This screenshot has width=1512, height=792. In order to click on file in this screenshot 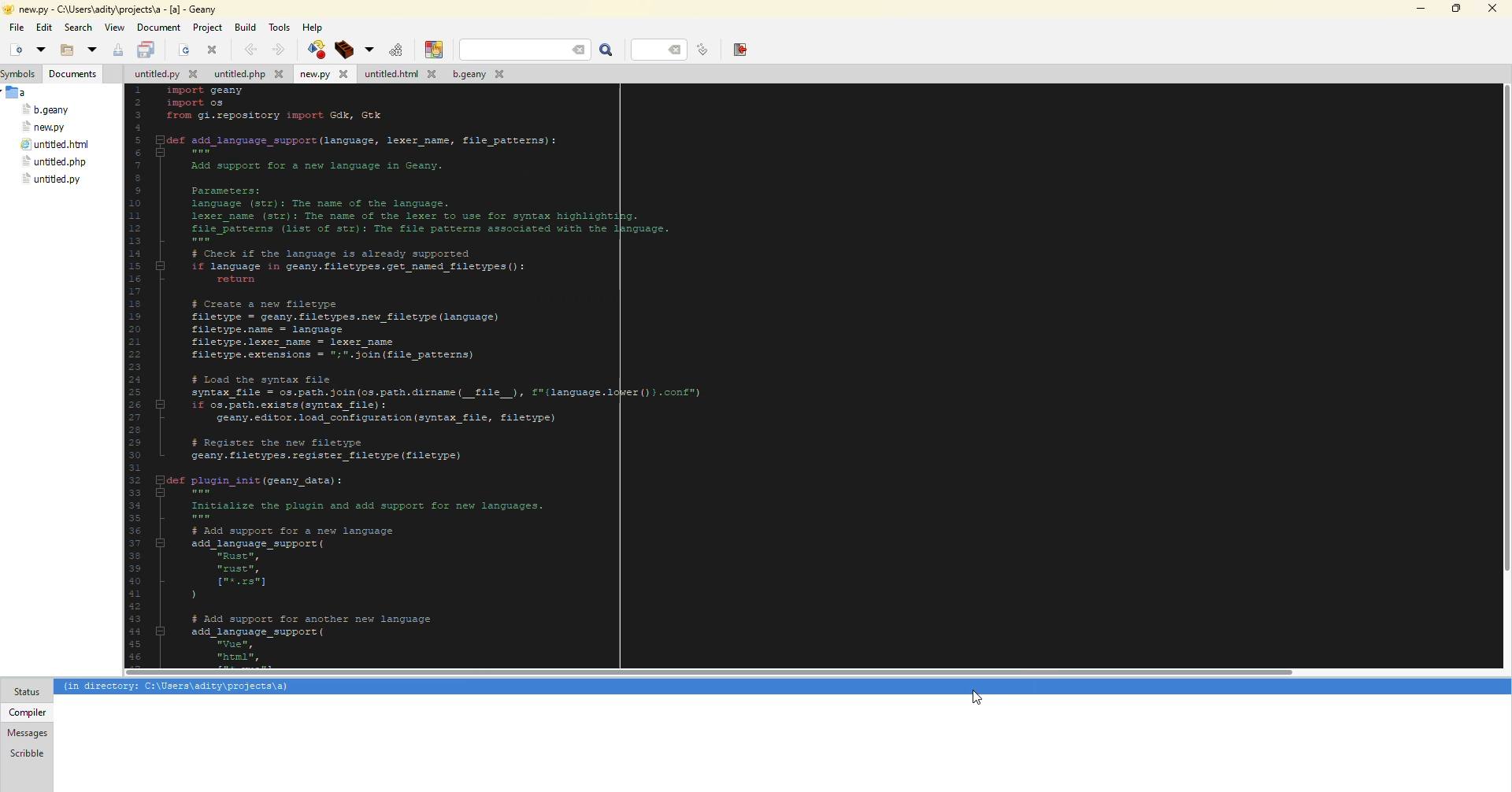, I will do `click(248, 76)`.